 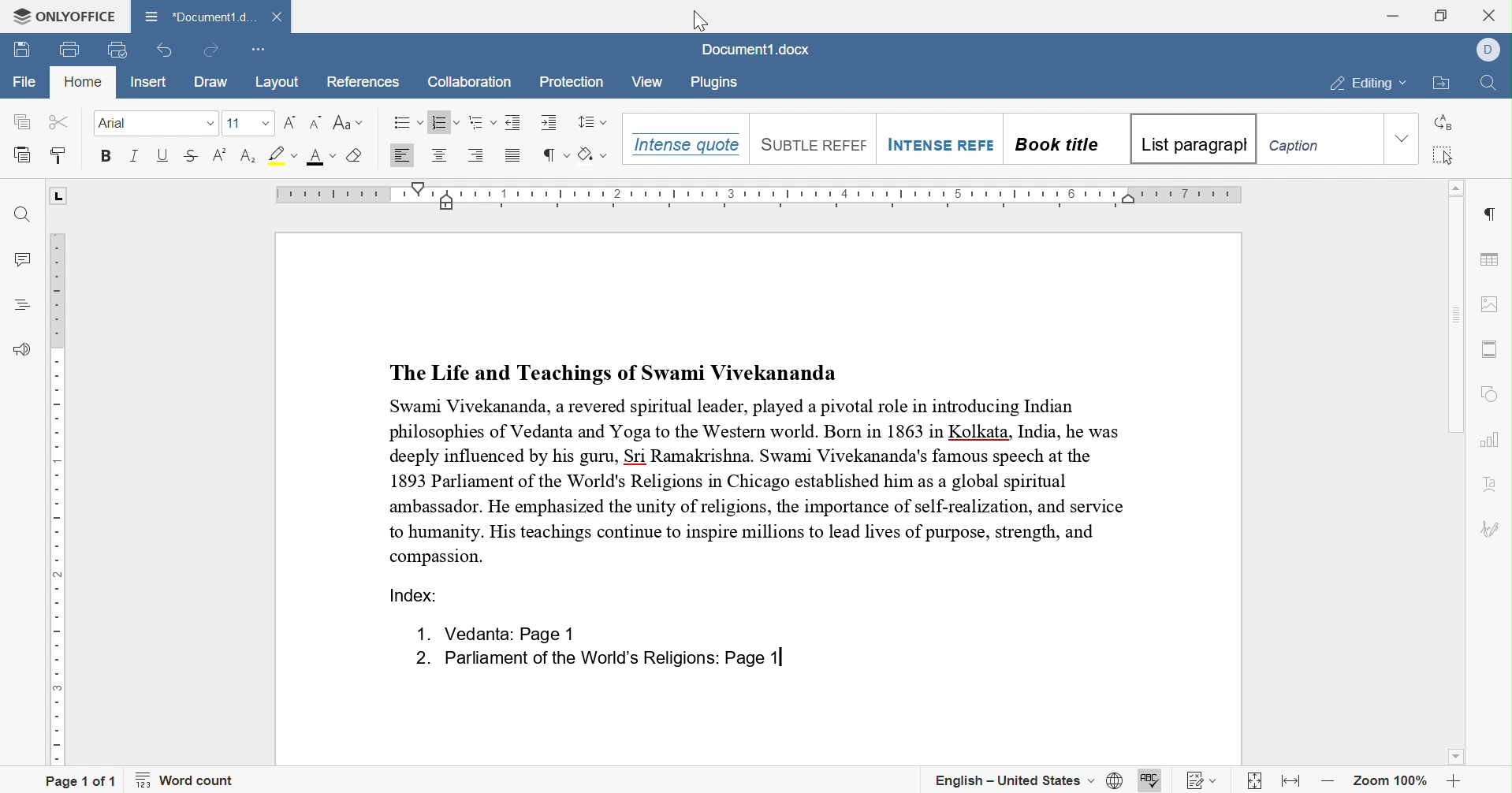 I want to click on document1.d, so click(x=199, y=17).